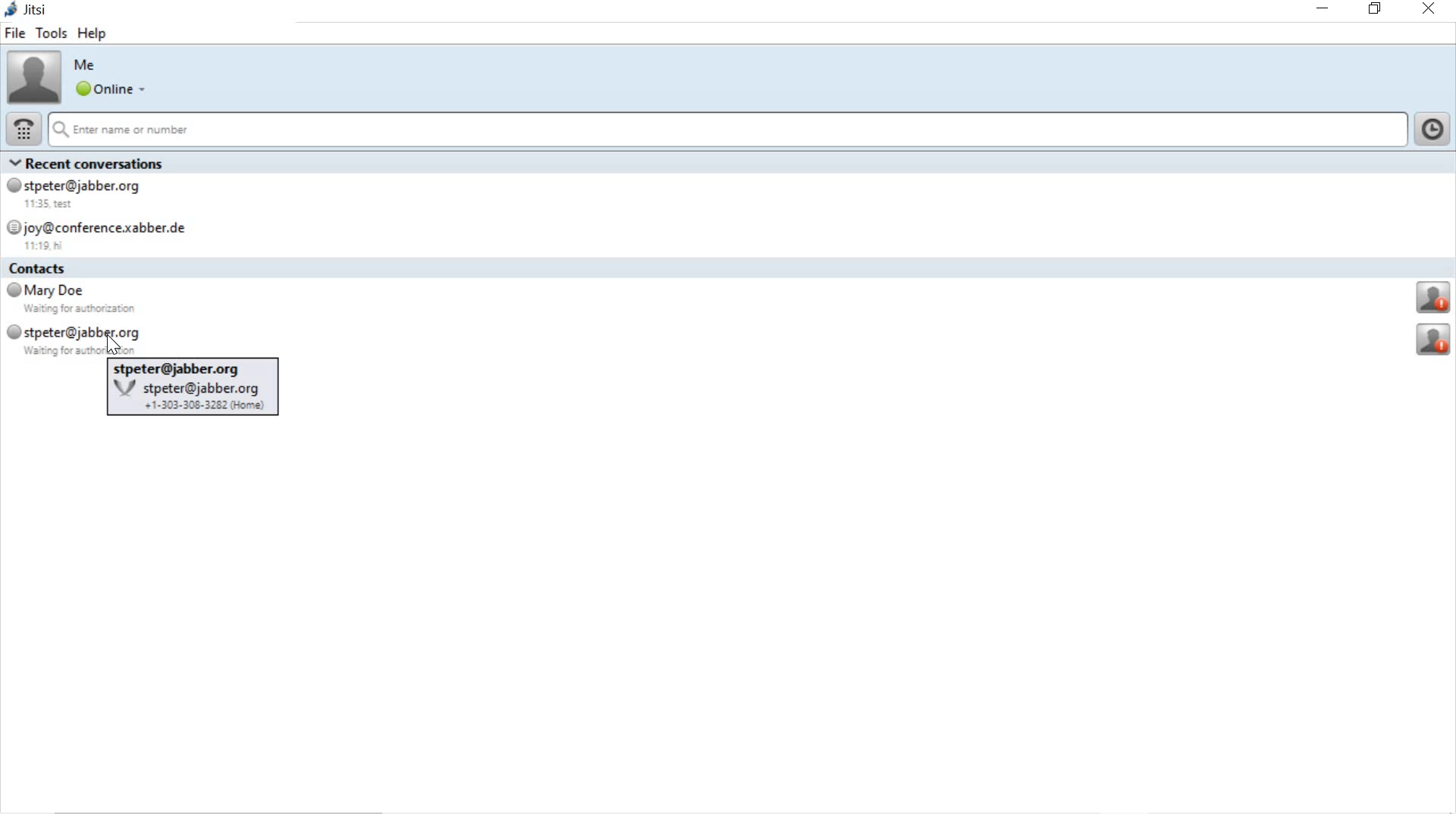 The image size is (1456, 814). I want to click on jitsi, so click(30, 11).